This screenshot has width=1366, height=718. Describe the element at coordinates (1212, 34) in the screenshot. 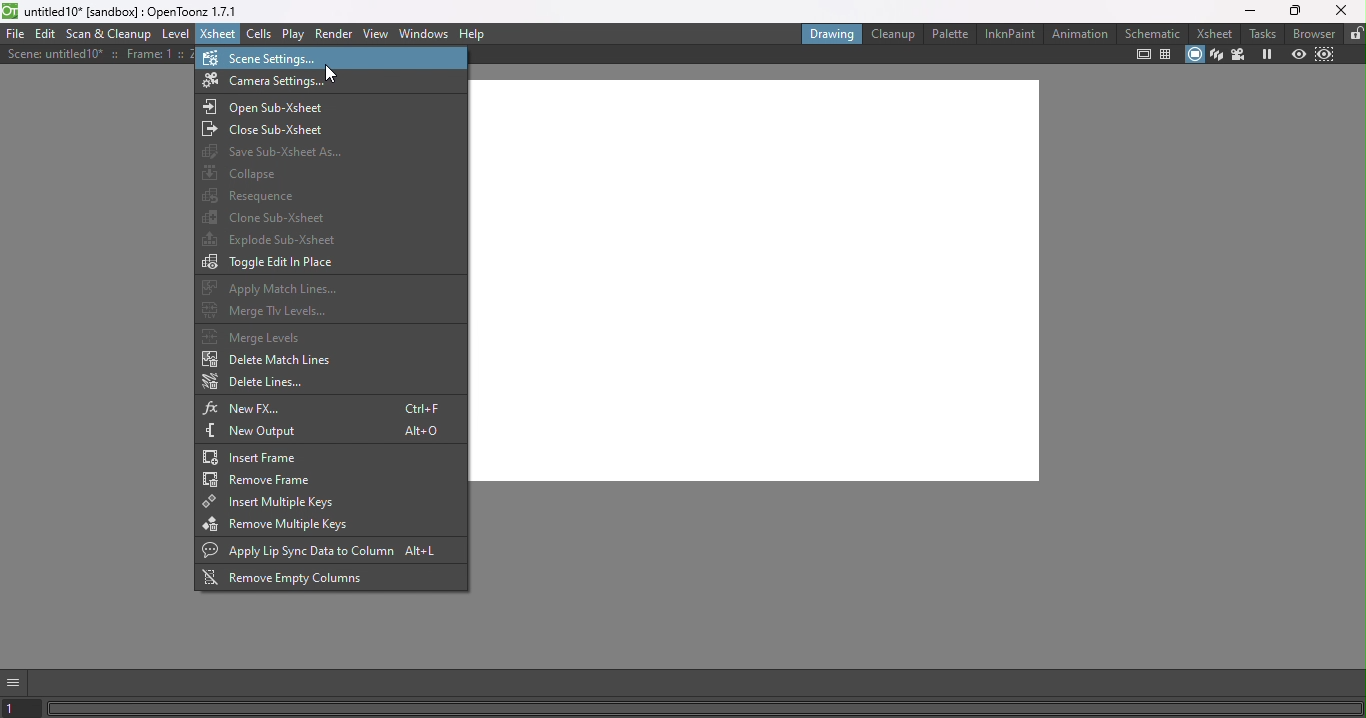

I see `Xsheet` at that location.